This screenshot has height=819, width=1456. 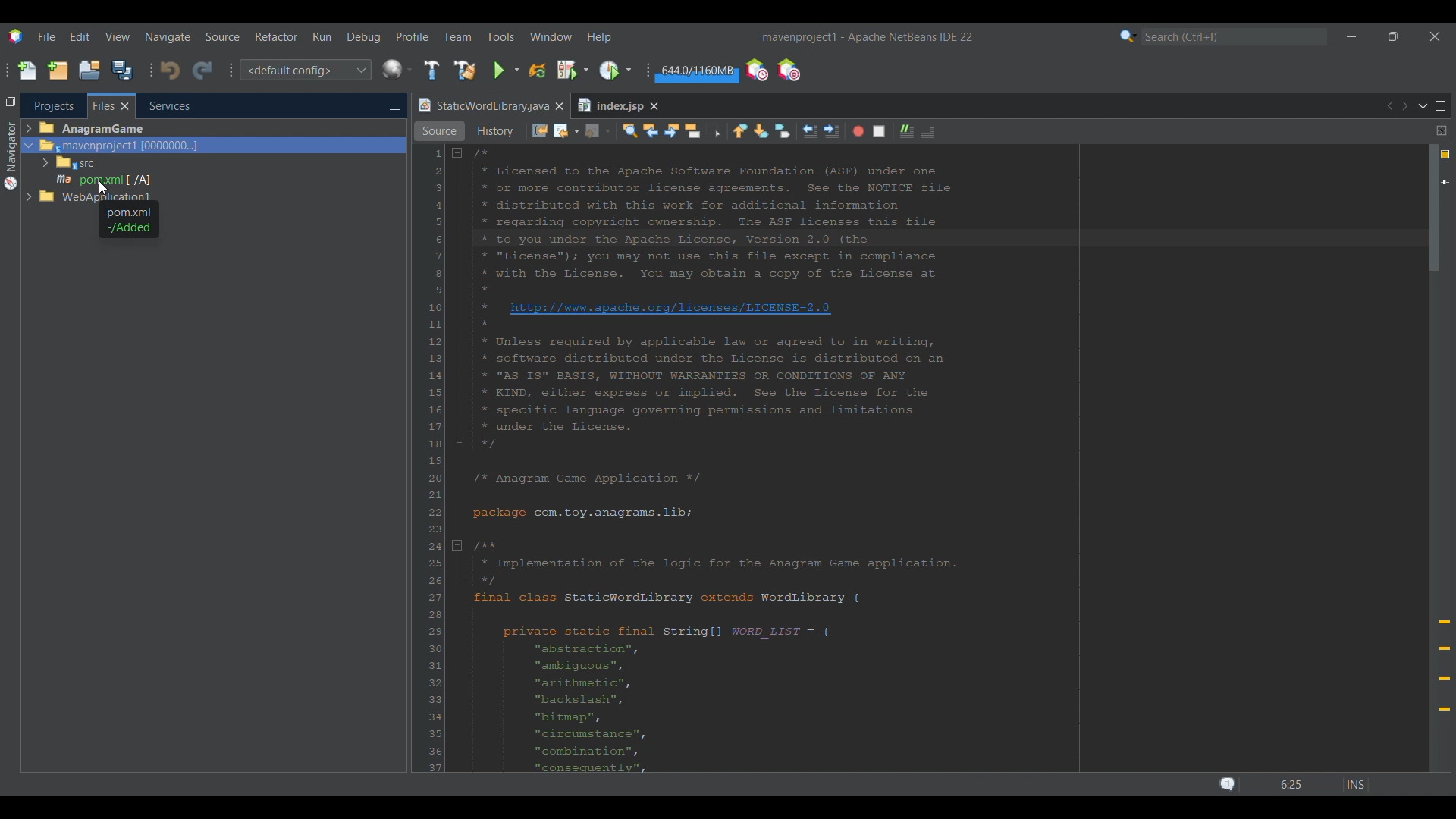 What do you see at coordinates (924, 460) in the screenshot?
I see `Code in current tab` at bounding box center [924, 460].